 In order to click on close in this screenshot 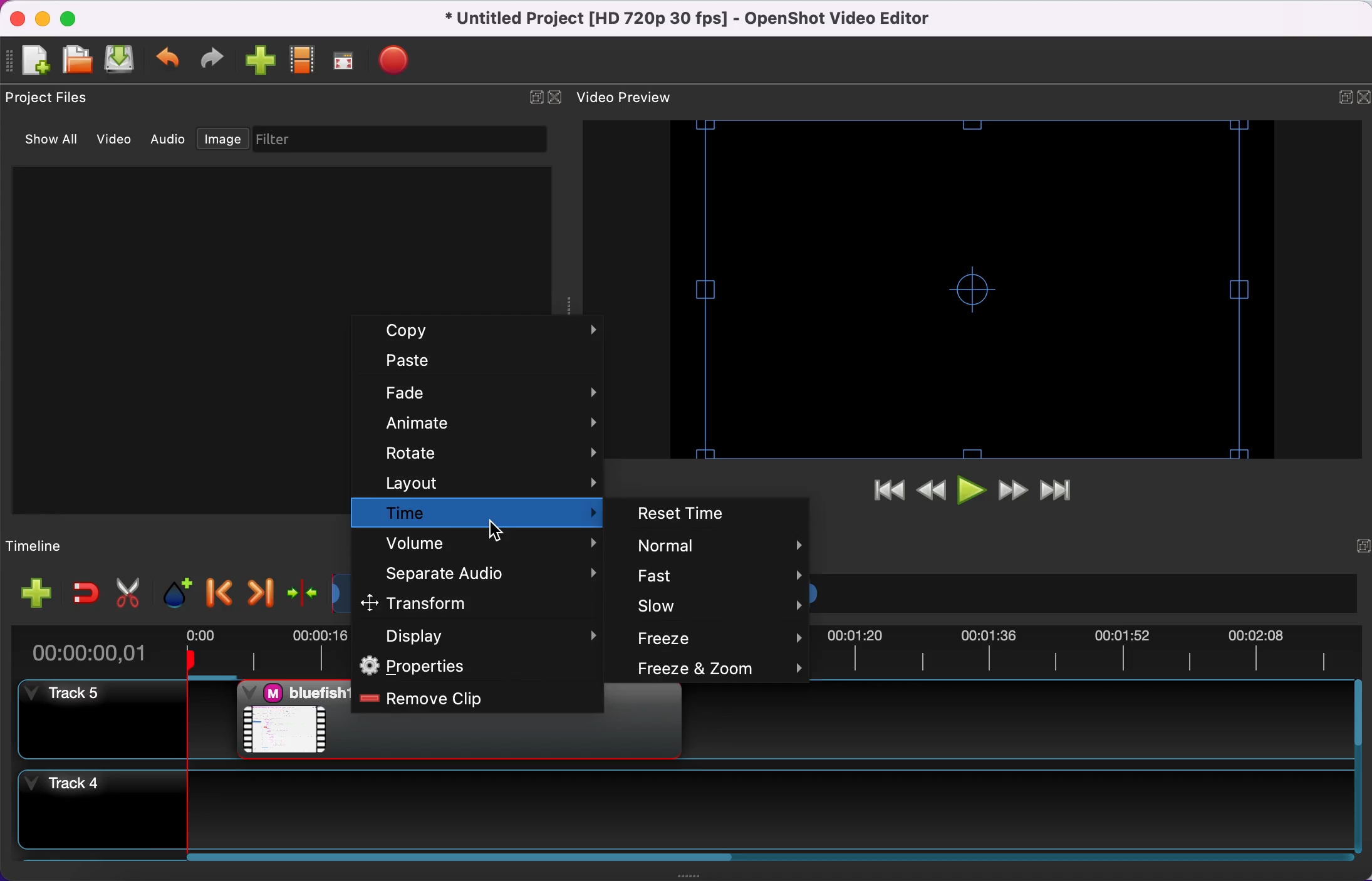, I will do `click(18, 18)`.